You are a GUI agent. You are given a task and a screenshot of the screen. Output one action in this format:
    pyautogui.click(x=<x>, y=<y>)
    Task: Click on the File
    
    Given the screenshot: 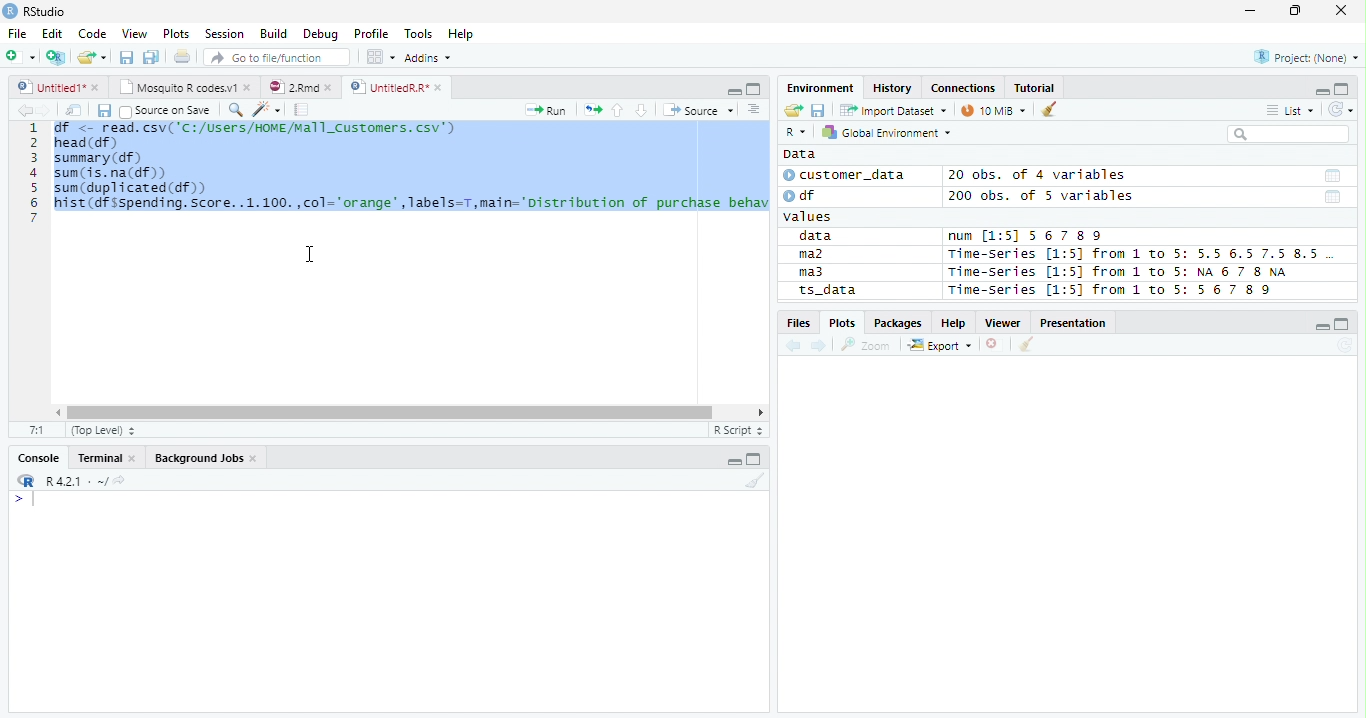 What is the action you would take?
    pyautogui.click(x=16, y=33)
    